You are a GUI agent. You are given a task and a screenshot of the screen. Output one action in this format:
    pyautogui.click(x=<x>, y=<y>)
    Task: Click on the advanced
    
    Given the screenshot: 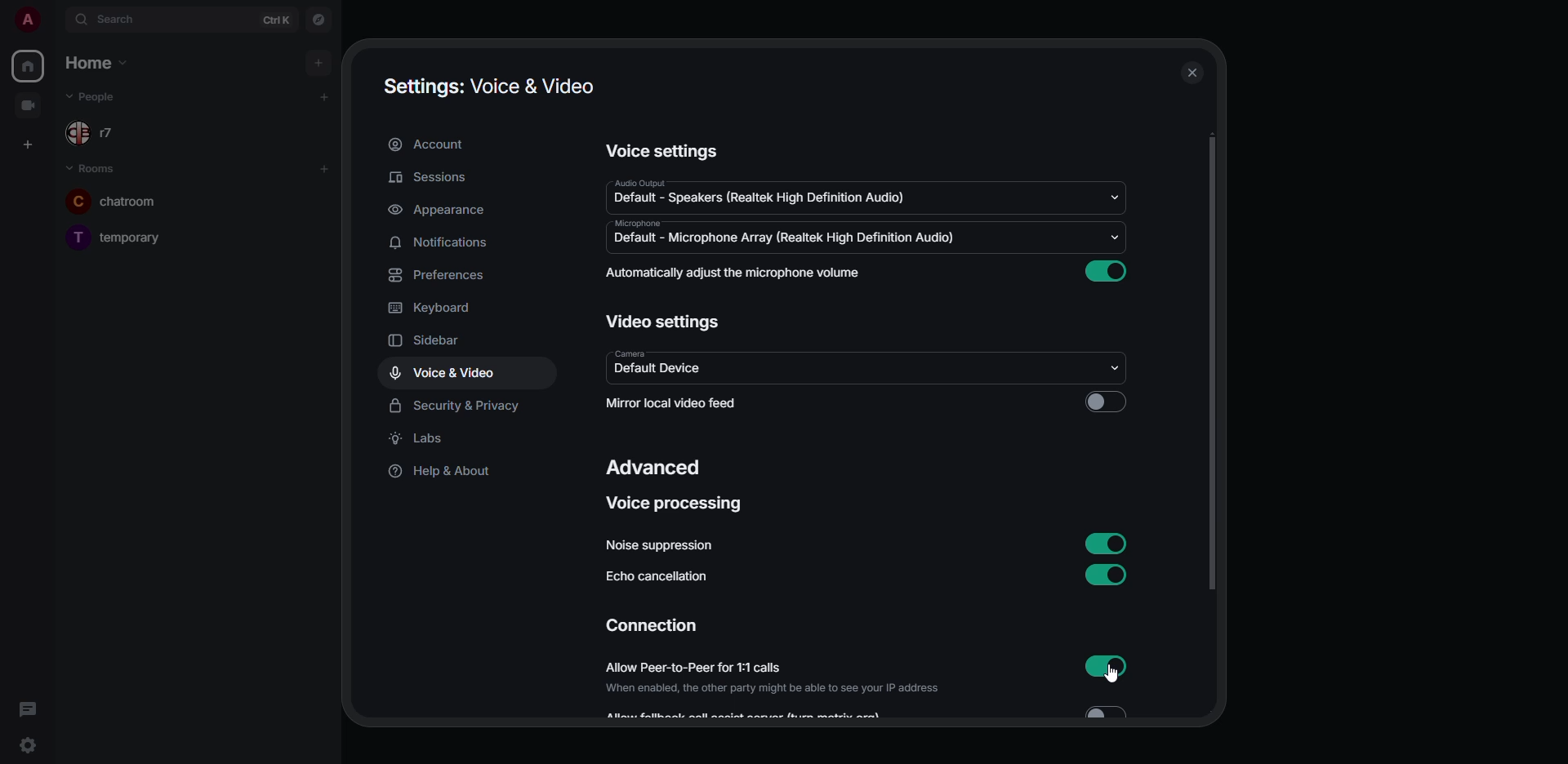 What is the action you would take?
    pyautogui.click(x=655, y=469)
    